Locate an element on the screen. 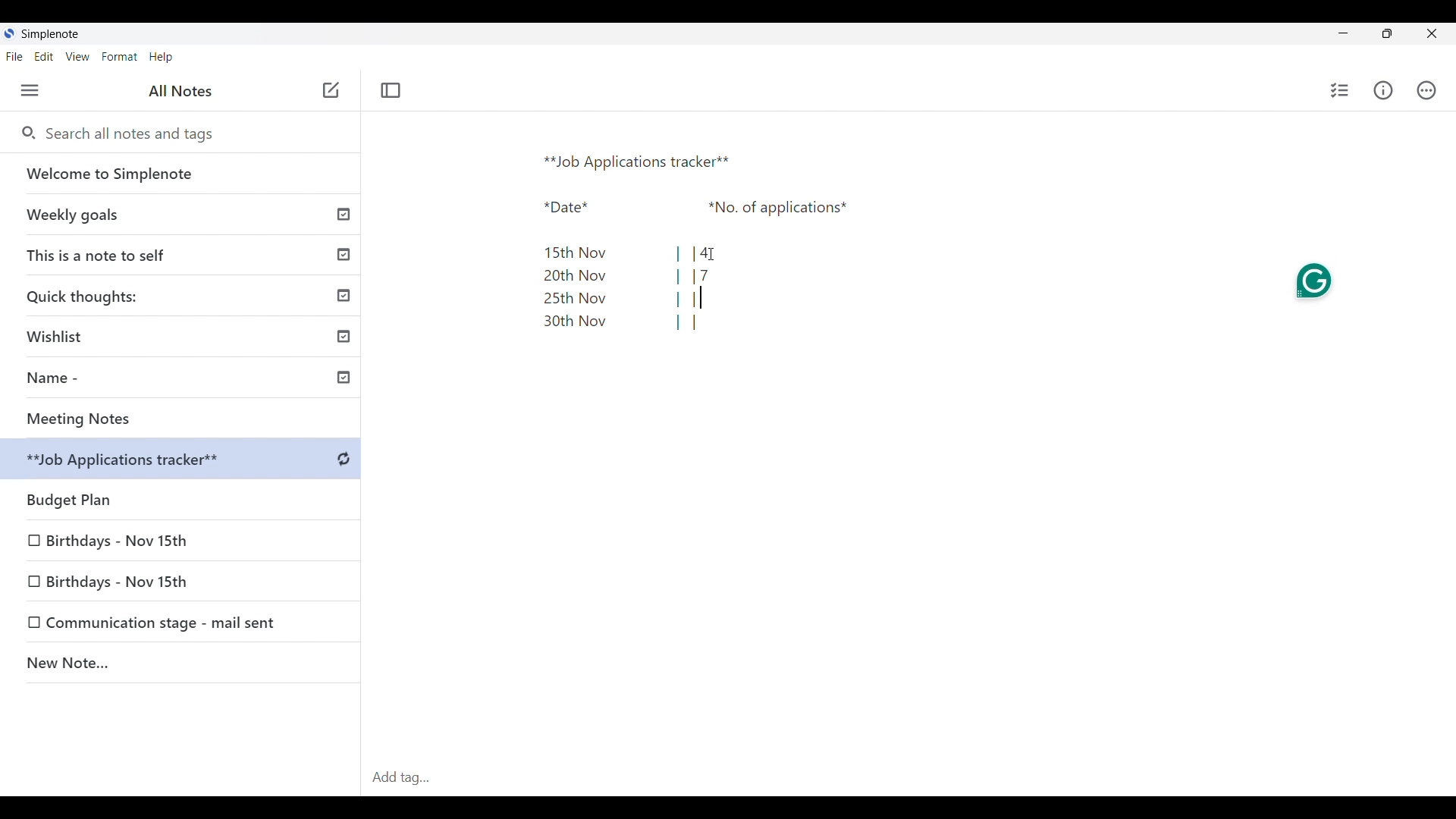 This screenshot has height=819, width=1456. Click to insert checklist is located at coordinates (1341, 90).